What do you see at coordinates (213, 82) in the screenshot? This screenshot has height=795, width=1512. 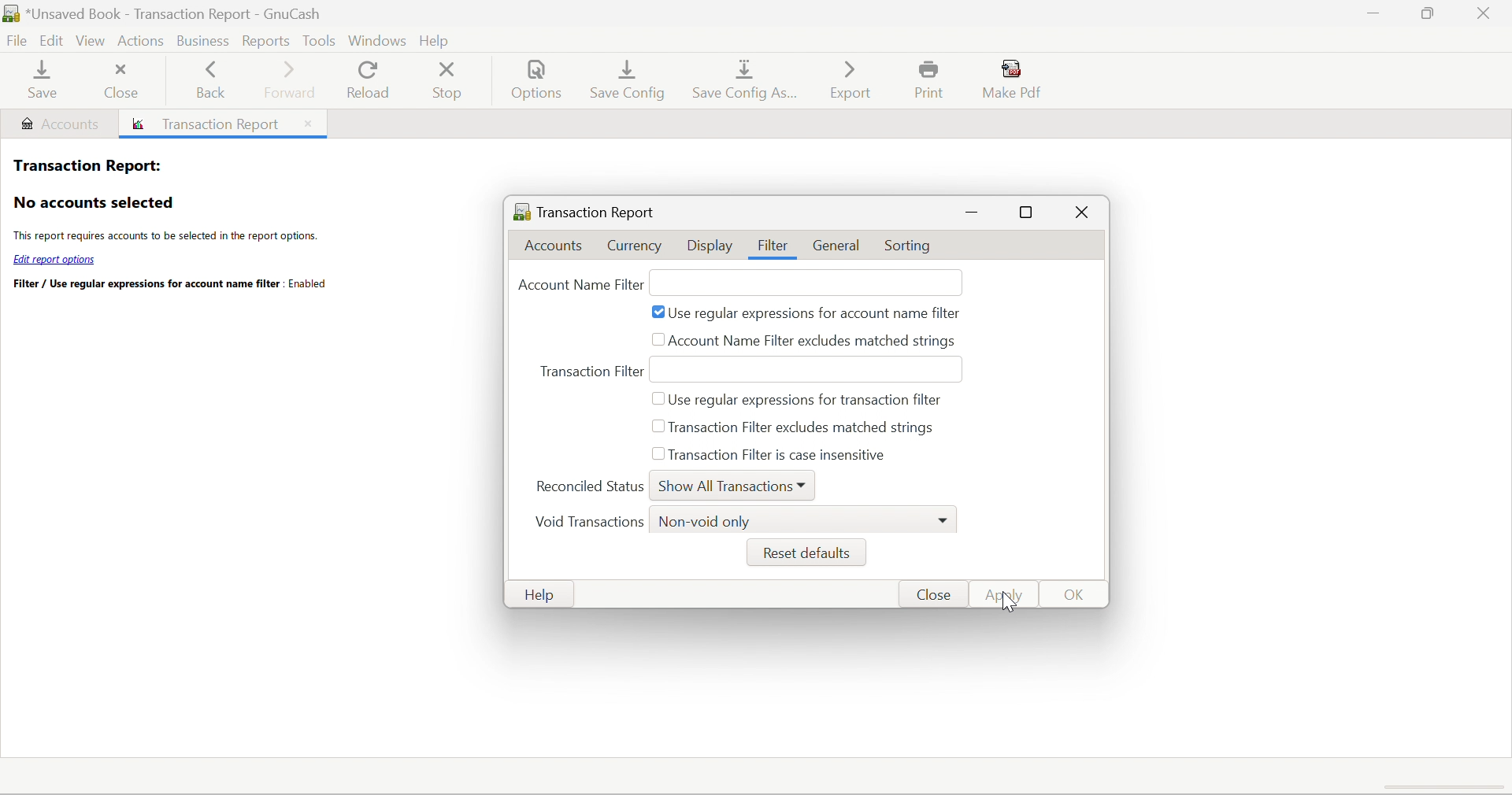 I see `Back` at bounding box center [213, 82].